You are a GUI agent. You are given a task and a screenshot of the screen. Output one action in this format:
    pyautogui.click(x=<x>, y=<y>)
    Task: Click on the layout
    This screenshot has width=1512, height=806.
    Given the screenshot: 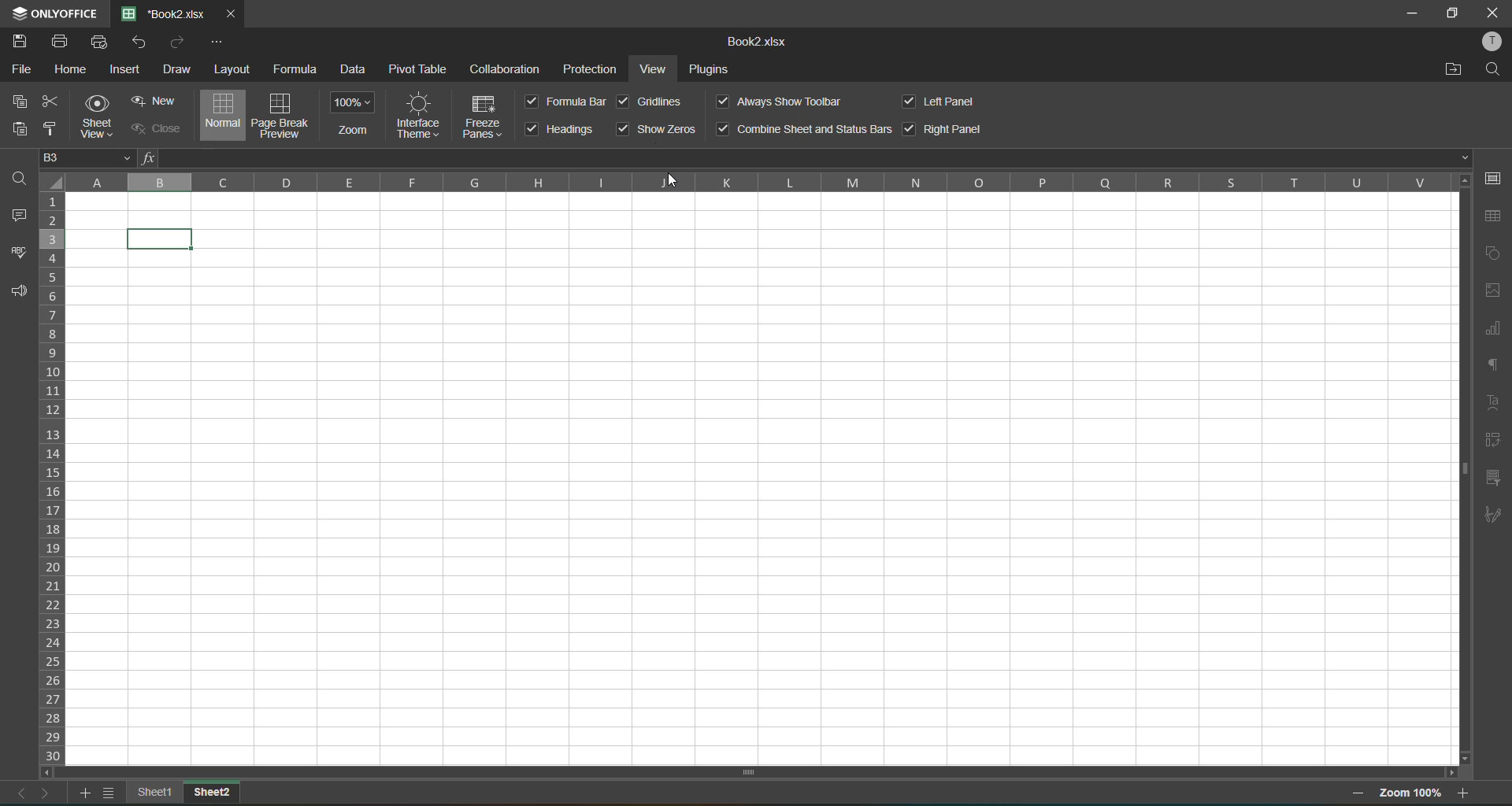 What is the action you would take?
    pyautogui.click(x=233, y=68)
    